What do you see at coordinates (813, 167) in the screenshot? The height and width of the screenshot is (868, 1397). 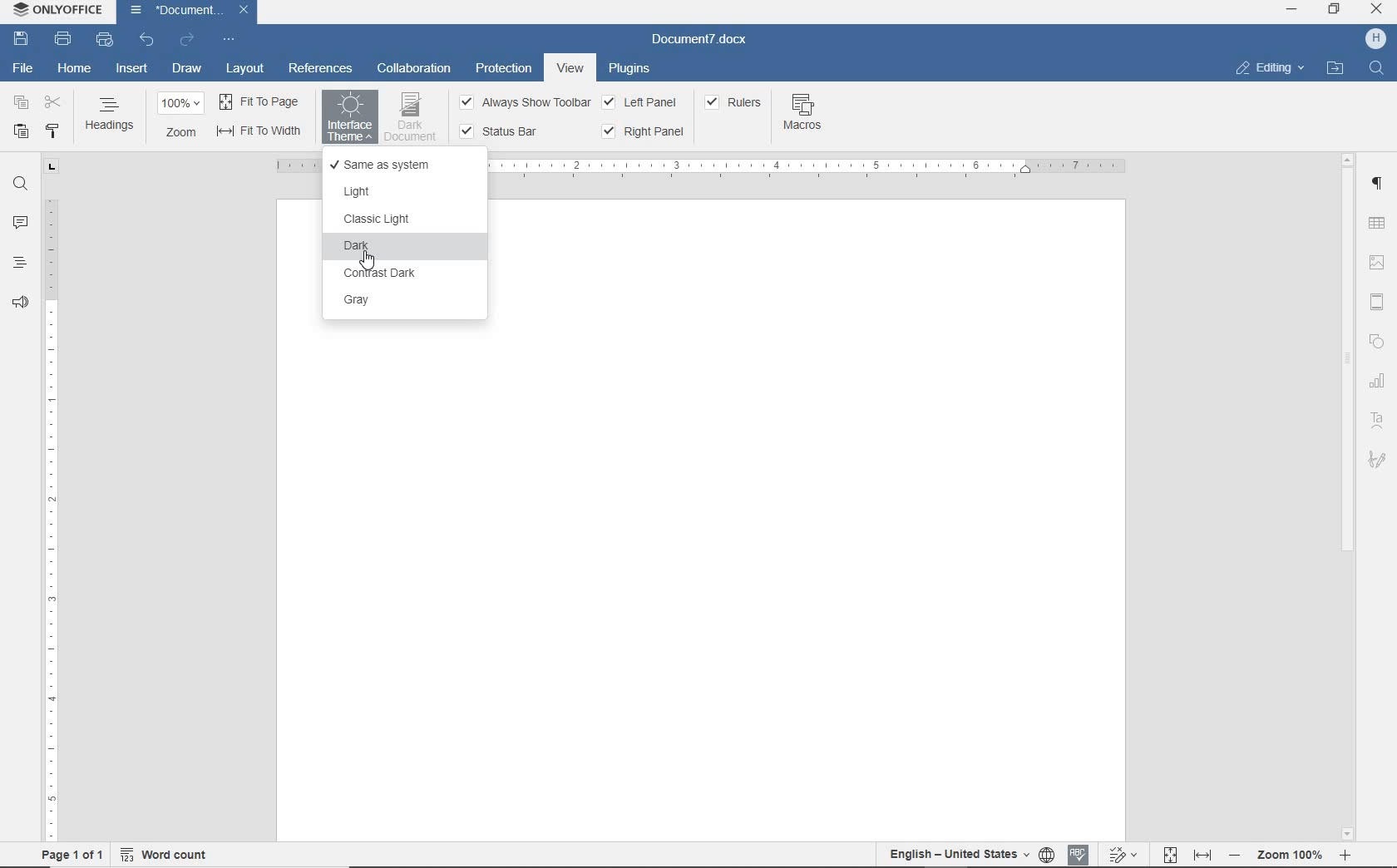 I see `RULER` at bounding box center [813, 167].